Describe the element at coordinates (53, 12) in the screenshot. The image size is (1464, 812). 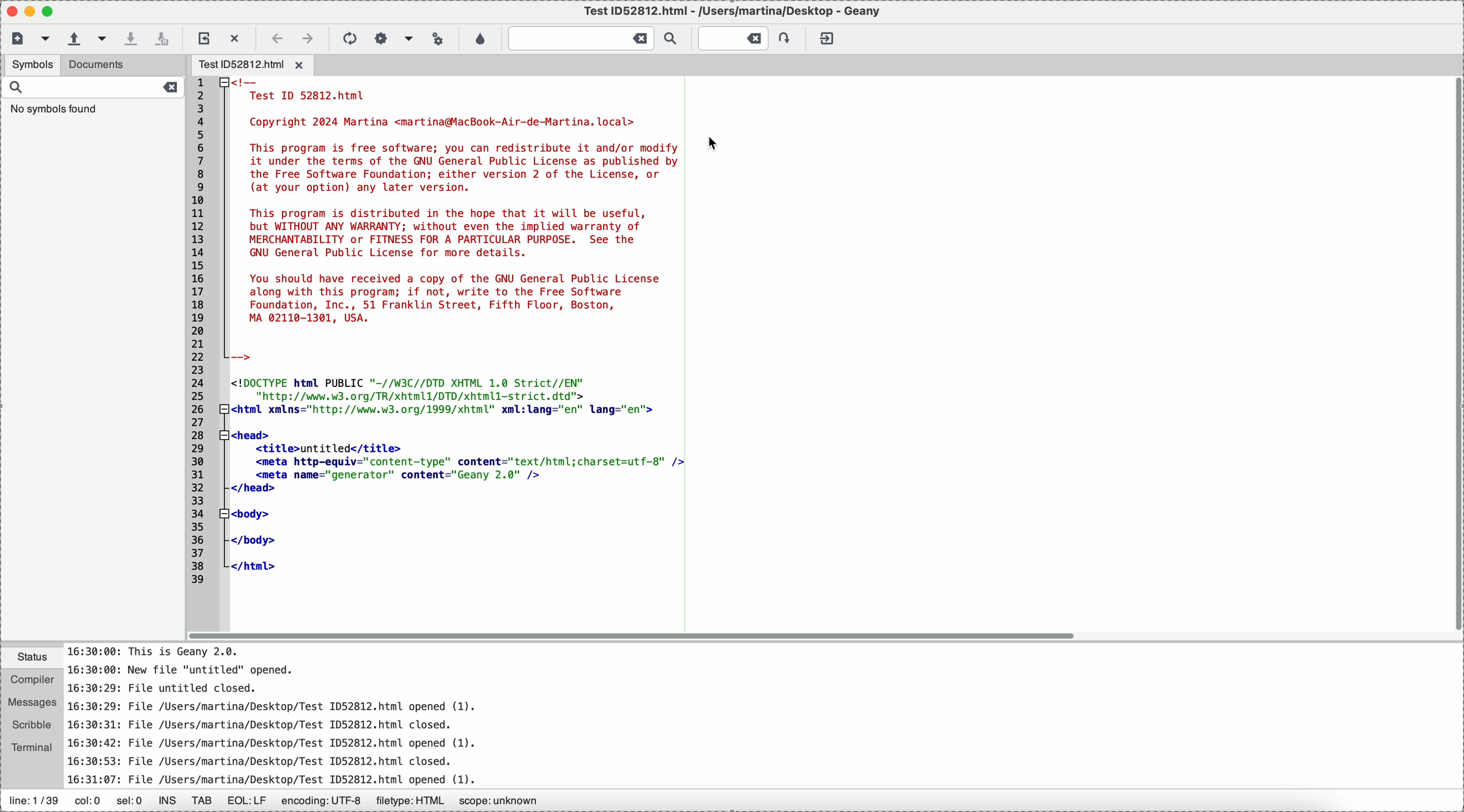
I see `minimize` at that location.